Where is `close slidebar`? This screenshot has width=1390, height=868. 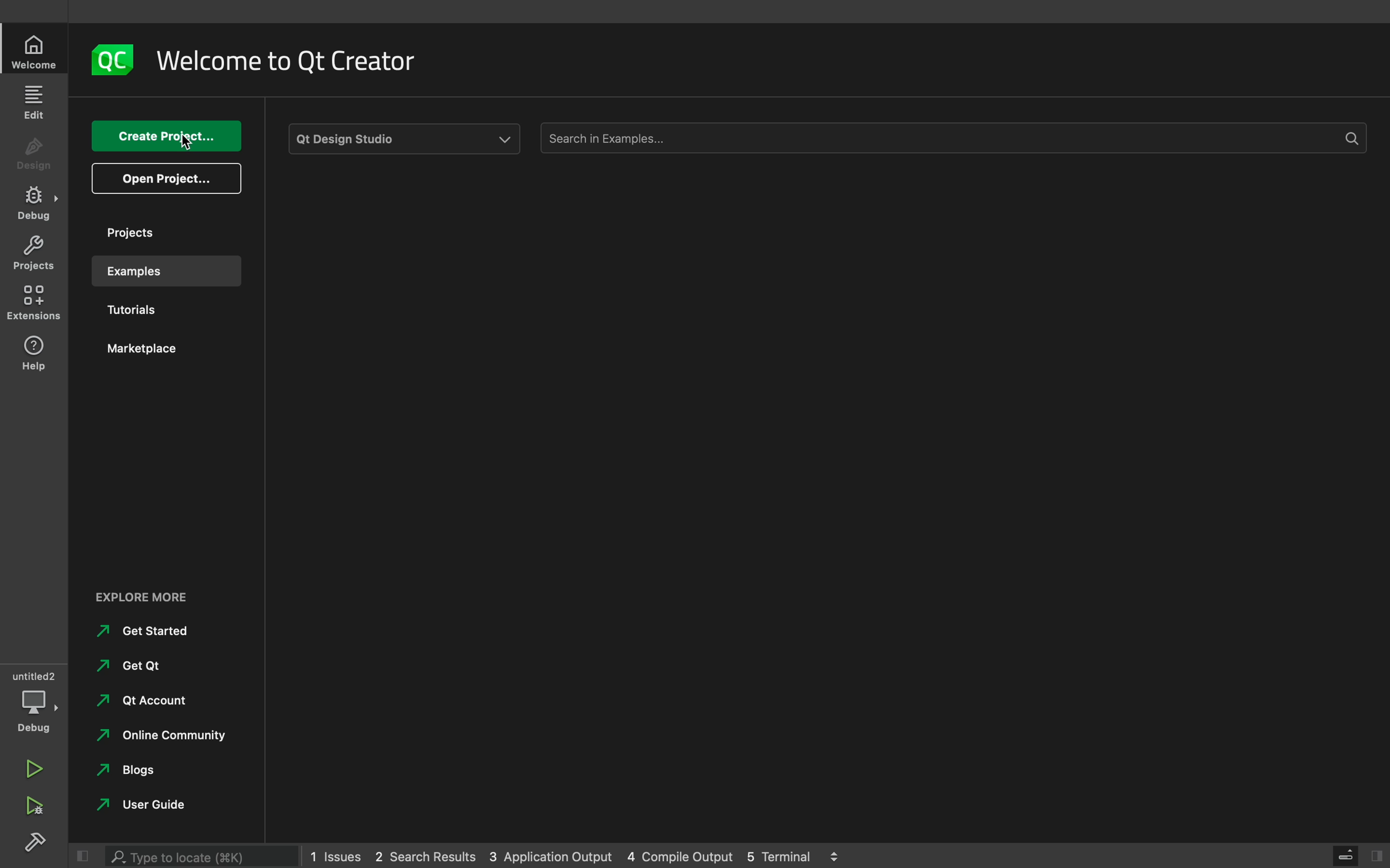 close slidebar is located at coordinates (1359, 856).